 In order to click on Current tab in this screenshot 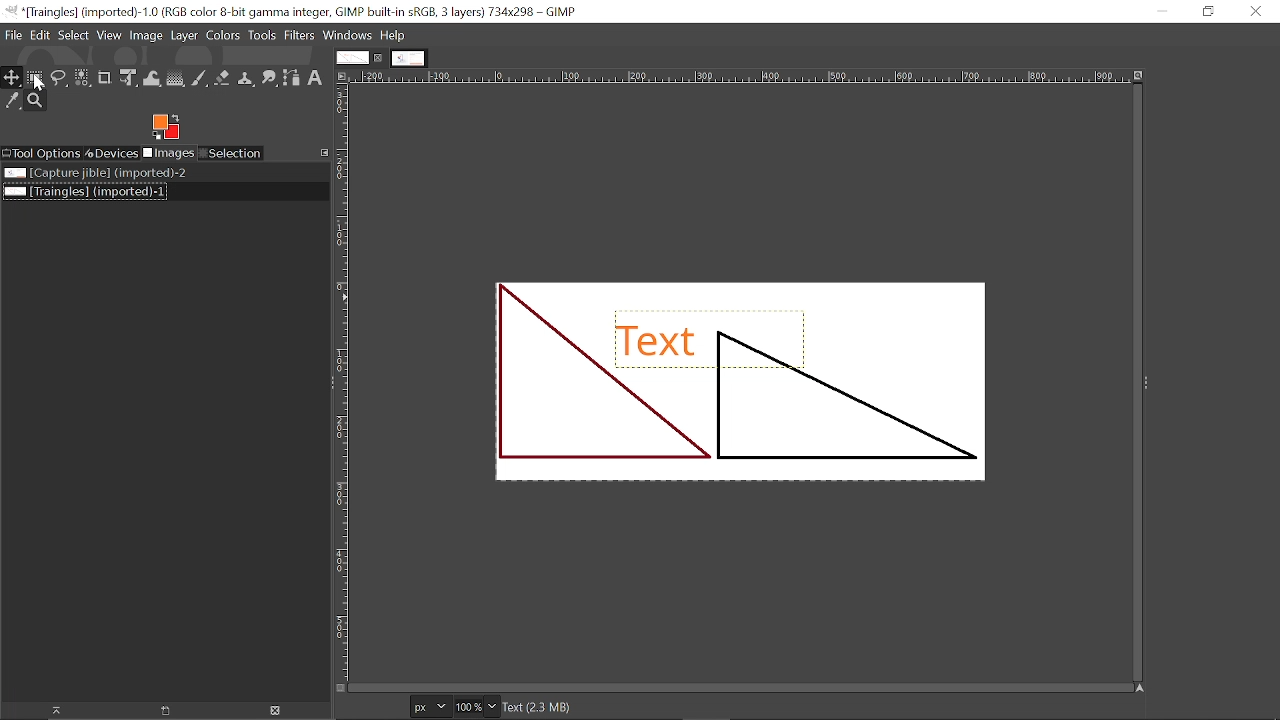, I will do `click(351, 58)`.